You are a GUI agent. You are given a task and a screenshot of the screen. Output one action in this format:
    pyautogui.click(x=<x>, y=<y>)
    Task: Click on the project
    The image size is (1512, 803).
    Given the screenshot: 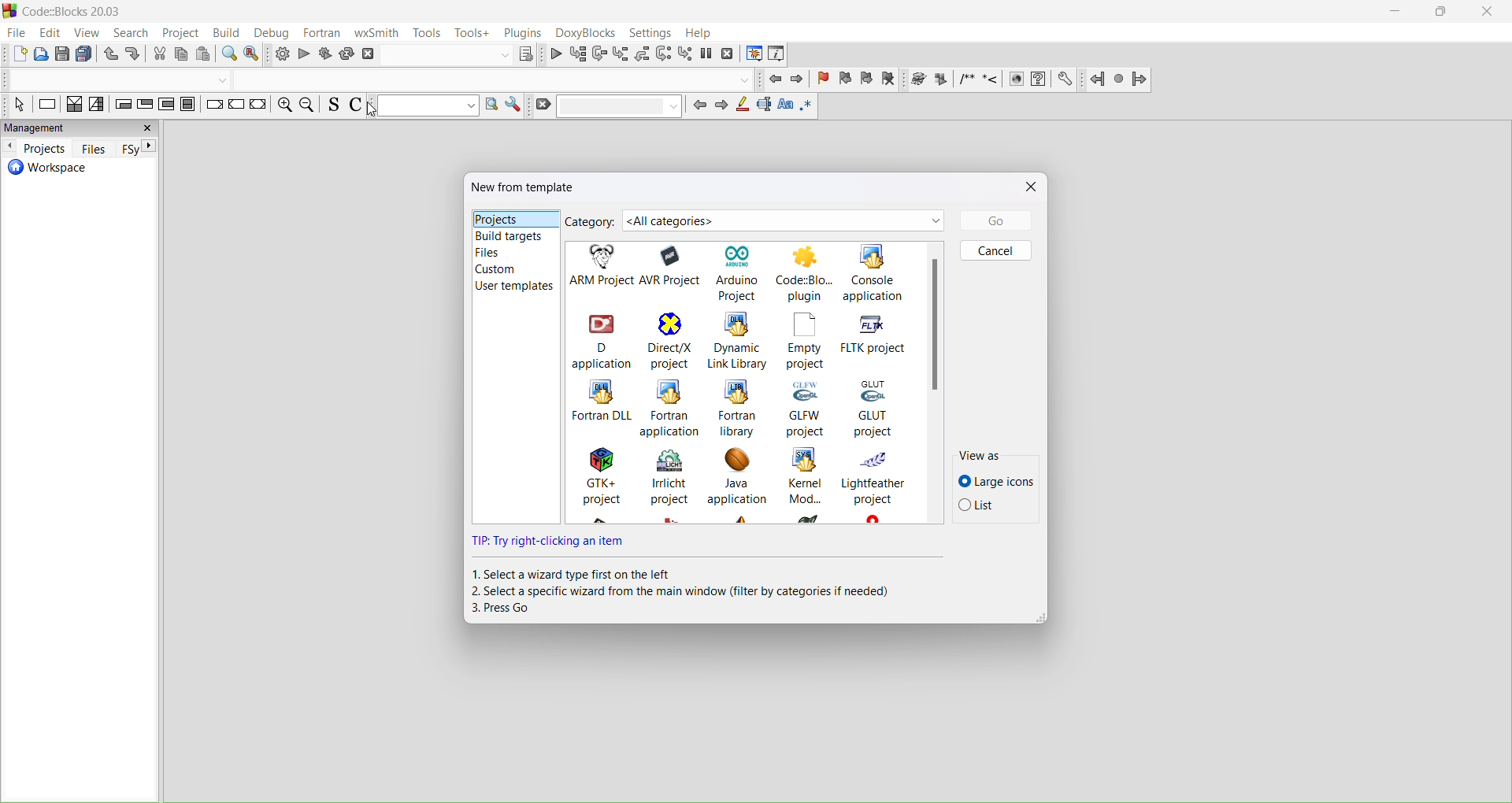 What is the action you would take?
    pyautogui.click(x=179, y=35)
    